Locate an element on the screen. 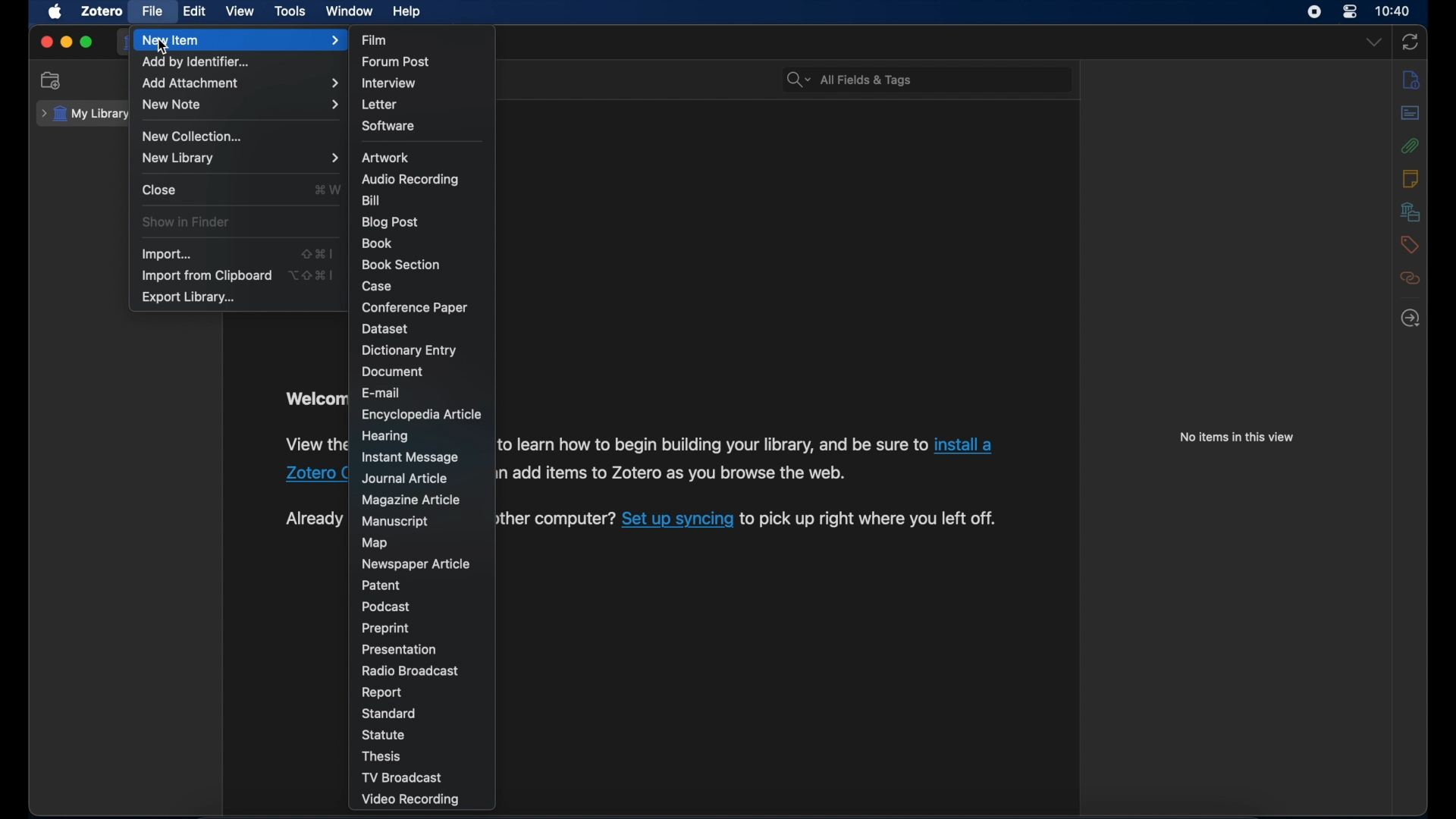  tags is located at coordinates (1410, 246).